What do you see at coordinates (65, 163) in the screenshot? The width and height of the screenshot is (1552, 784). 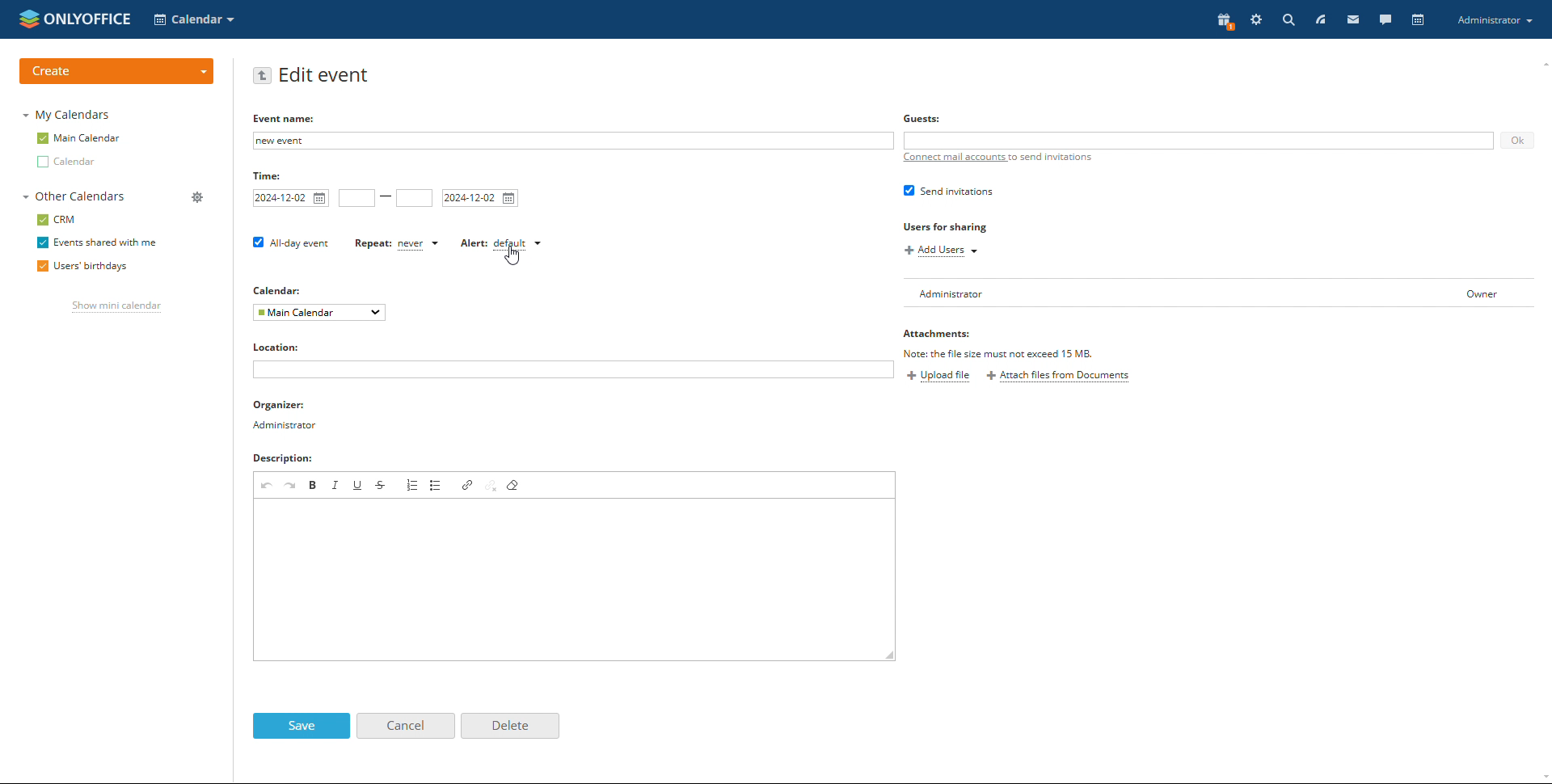 I see `other calendar` at bounding box center [65, 163].